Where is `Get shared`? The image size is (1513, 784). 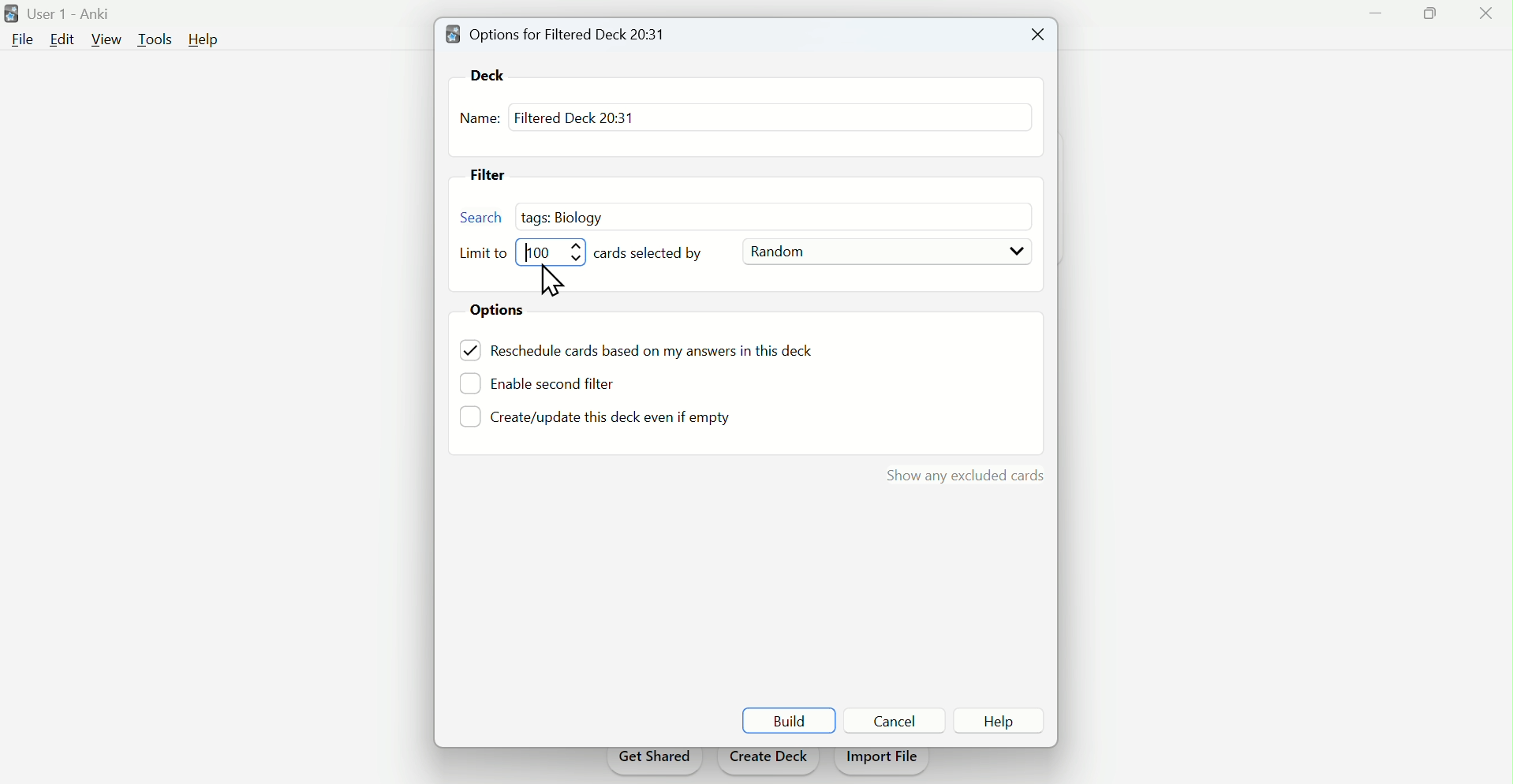 Get shared is located at coordinates (653, 762).